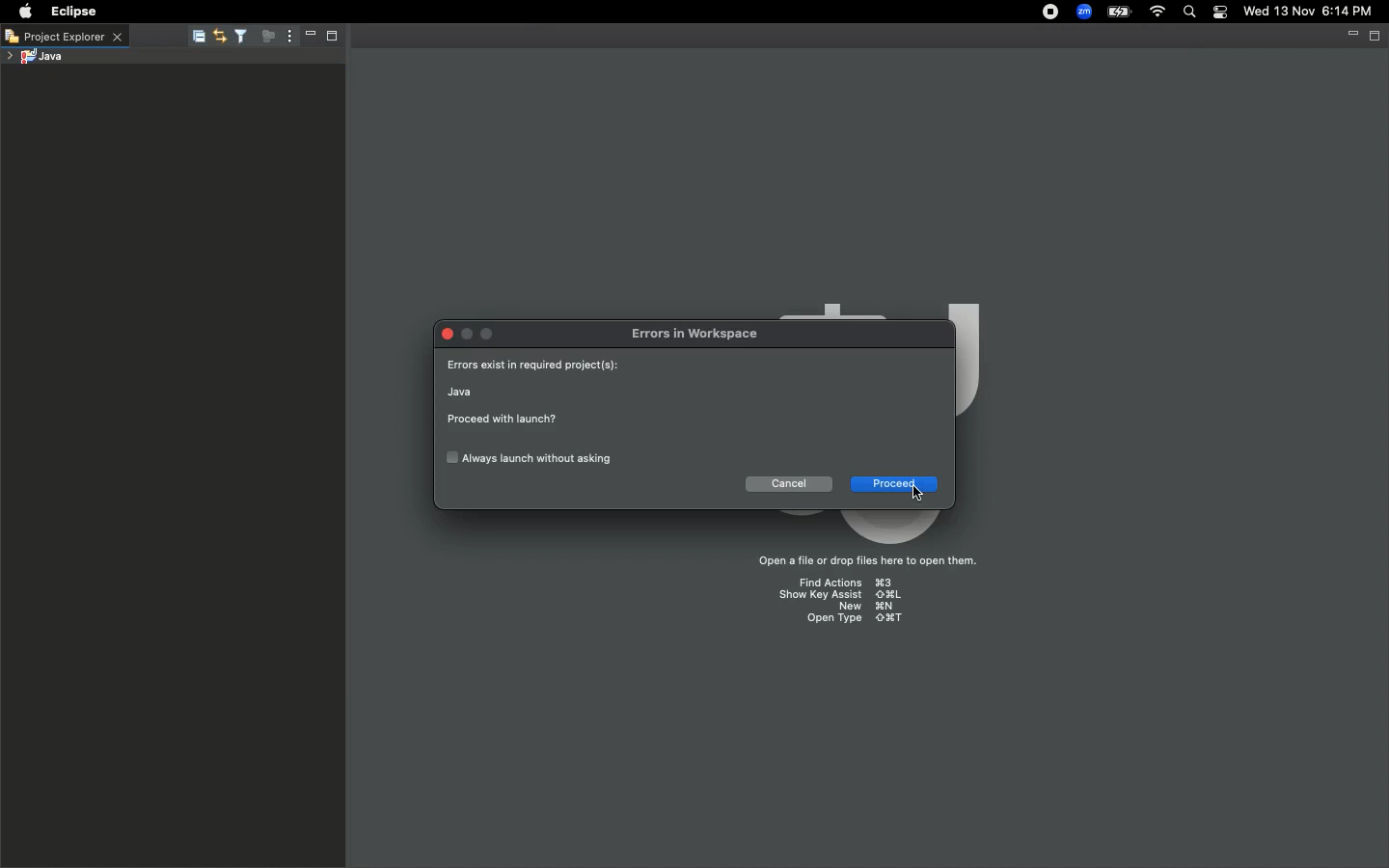 Image resolution: width=1389 pixels, height=868 pixels. I want to click on View menu, so click(289, 37).